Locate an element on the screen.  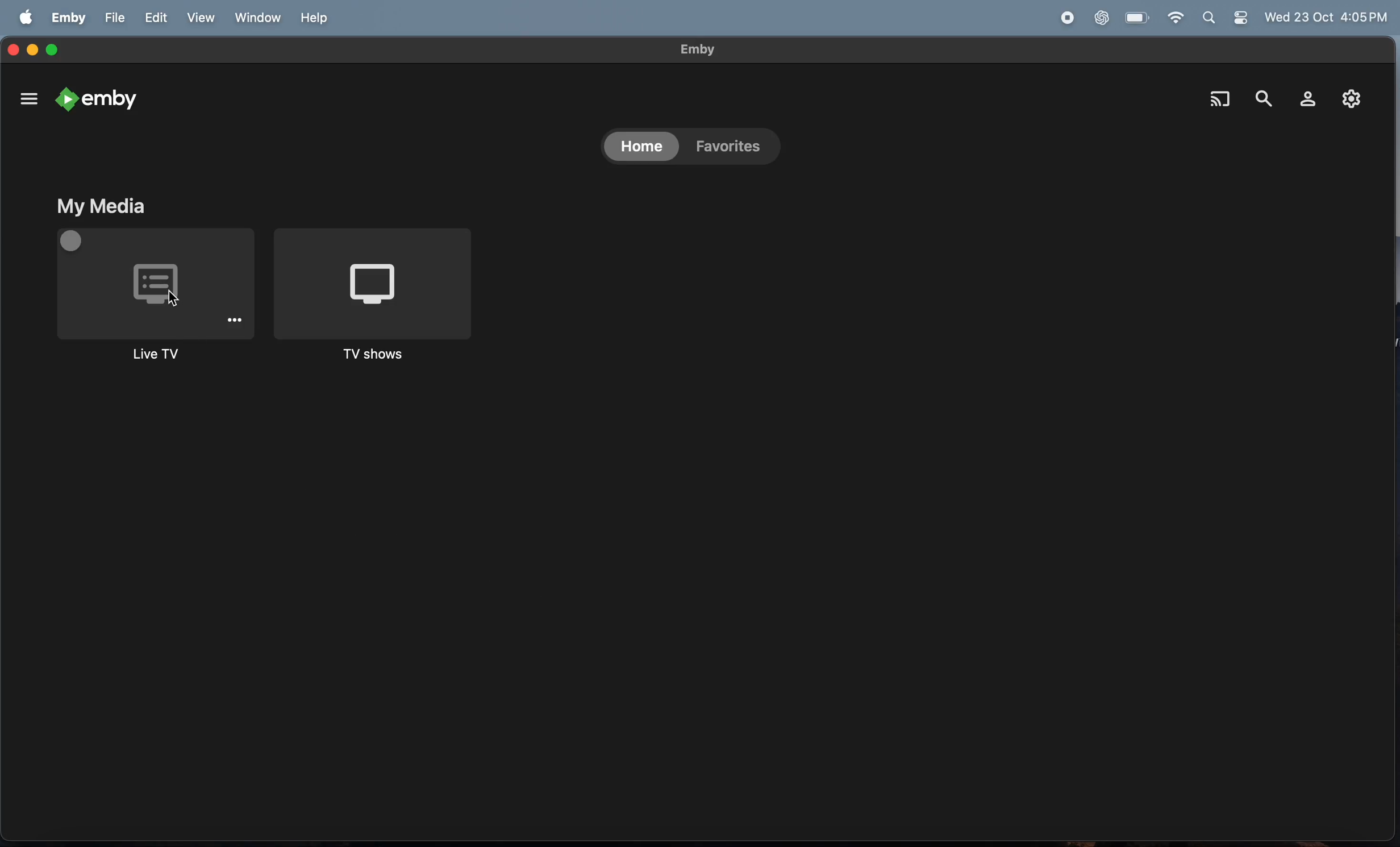
apple widgets is located at coordinates (1229, 19).